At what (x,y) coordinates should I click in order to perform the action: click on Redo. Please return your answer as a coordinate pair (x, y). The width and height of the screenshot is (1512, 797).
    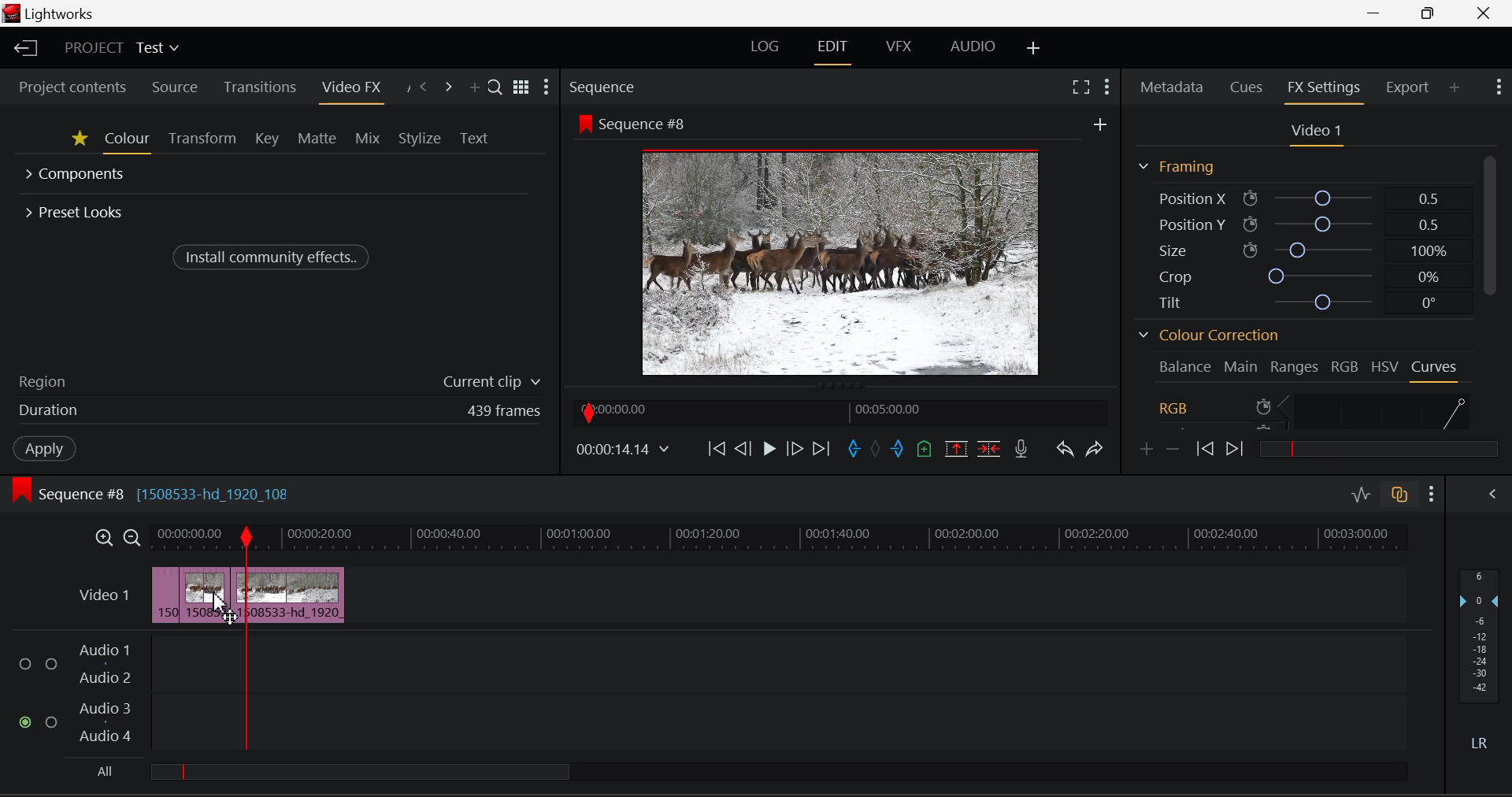
    Looking at the image, I should click on (1092, 449).